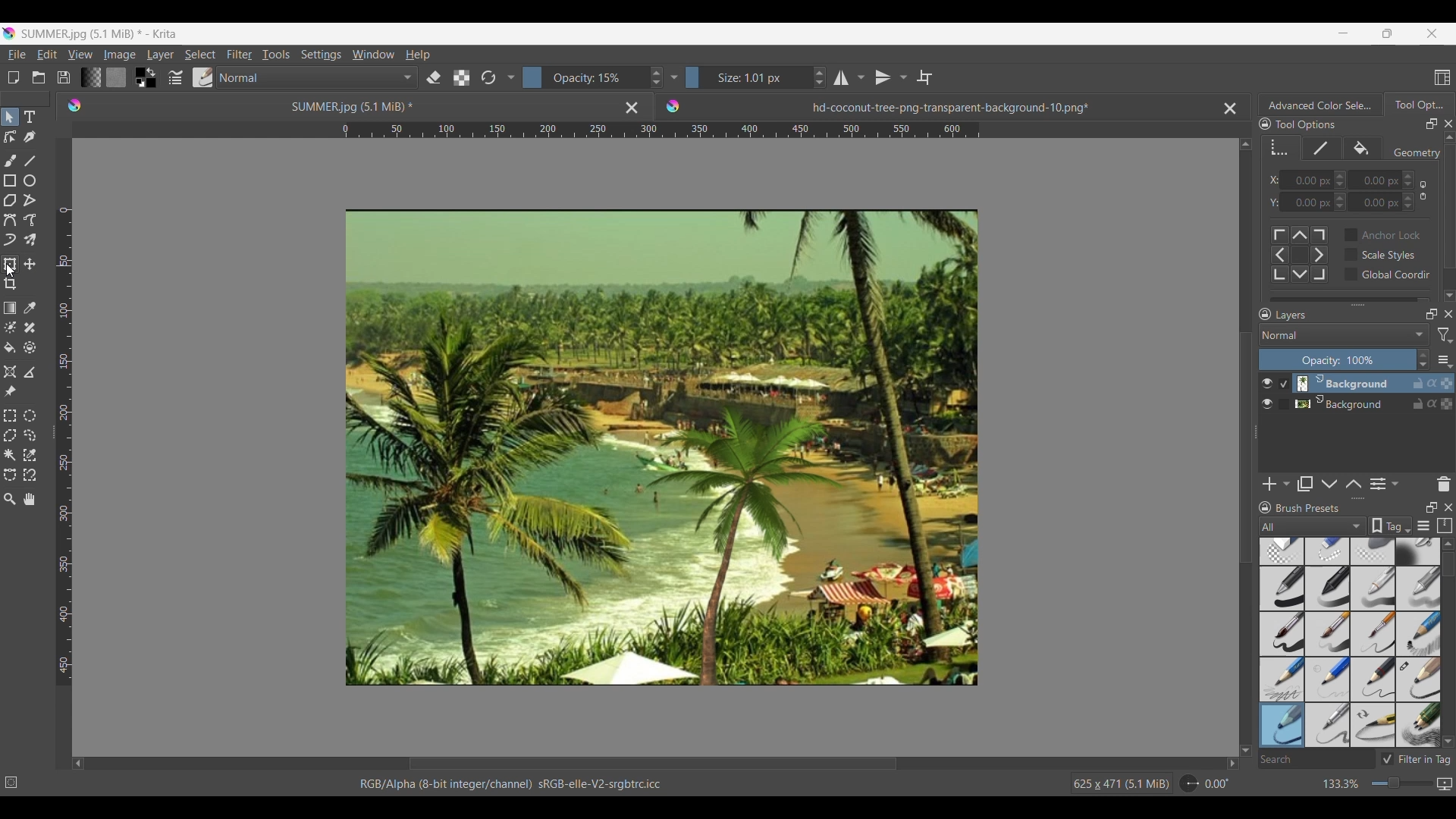 The image size is (1456, 819). Describe the element at coordinates (30, 327) in the screenshot. I see `Smart patch tool` at that location.